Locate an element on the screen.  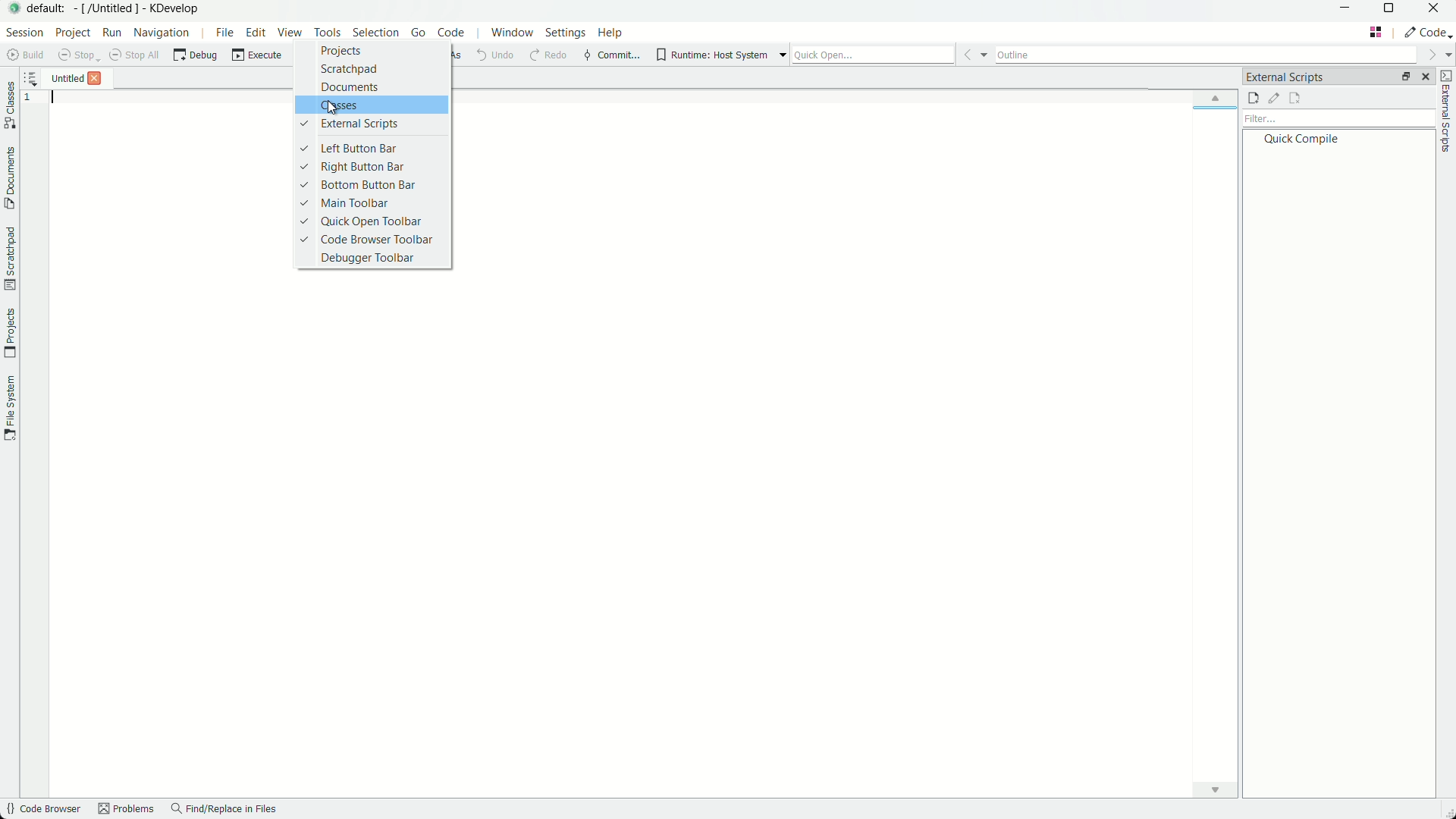
maximize or restore is located at coordinates (1390, 11).